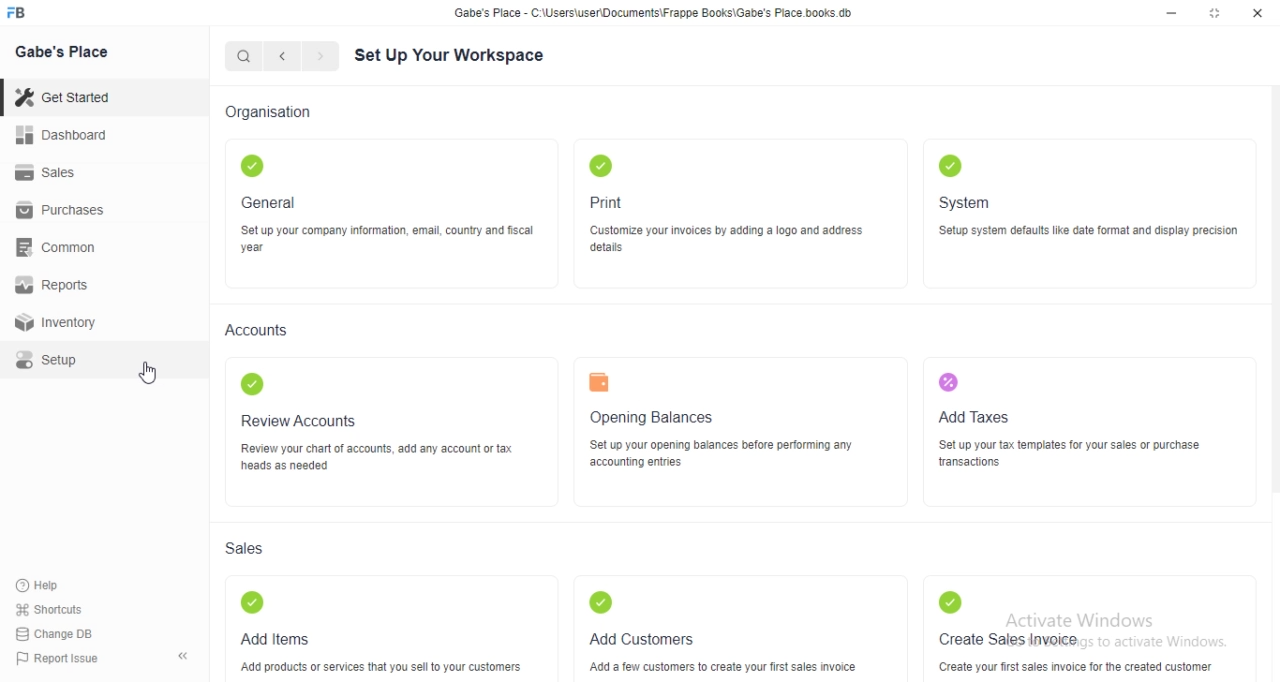  Describe the element at coordinates (287, 59) in the screenshot. I see `back` at that location.